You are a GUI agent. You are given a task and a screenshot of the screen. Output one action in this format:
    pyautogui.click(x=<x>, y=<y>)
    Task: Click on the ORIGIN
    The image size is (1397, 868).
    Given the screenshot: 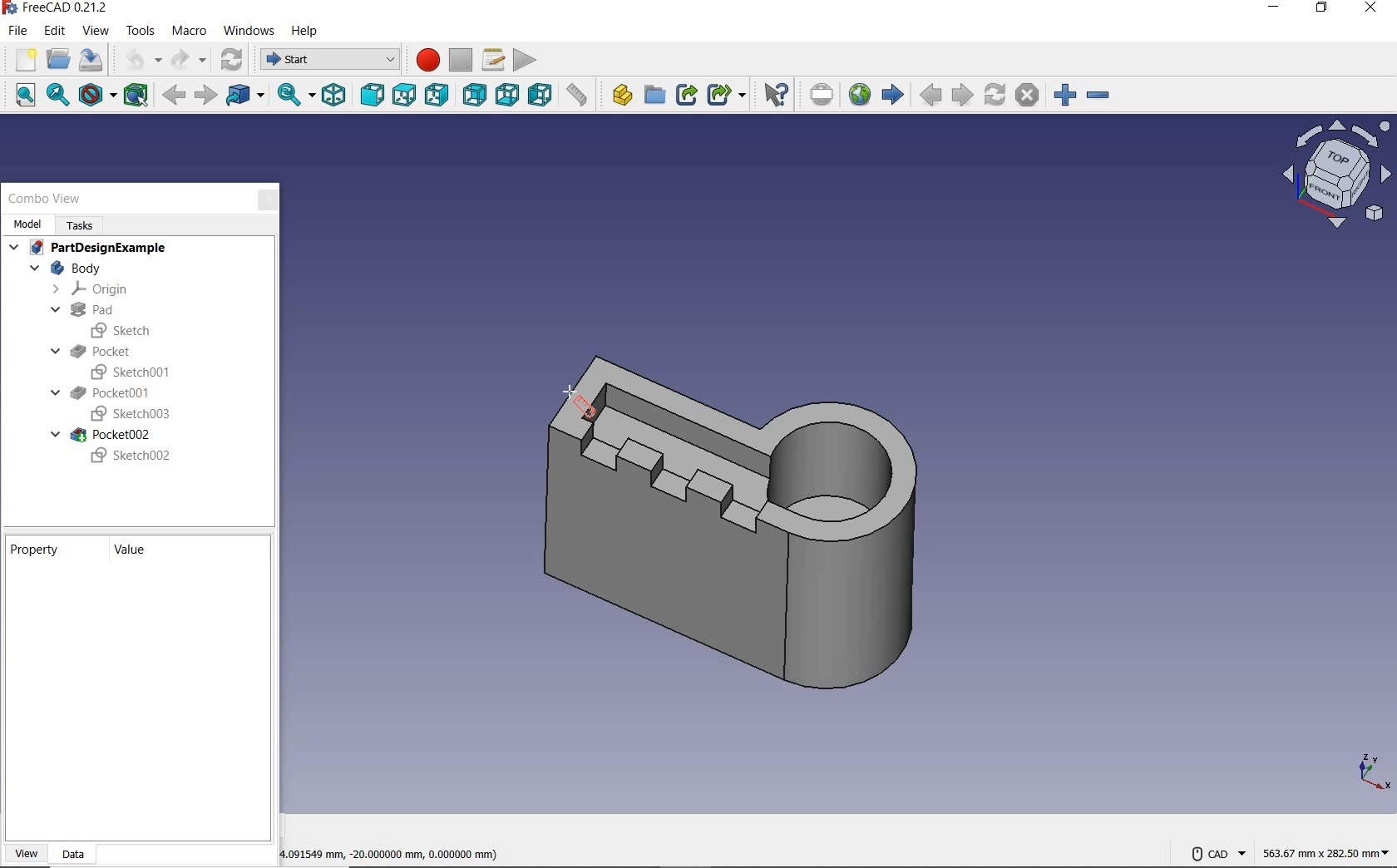 What is the action you would take?
    pyautogui.click(x=92, y=289)
    